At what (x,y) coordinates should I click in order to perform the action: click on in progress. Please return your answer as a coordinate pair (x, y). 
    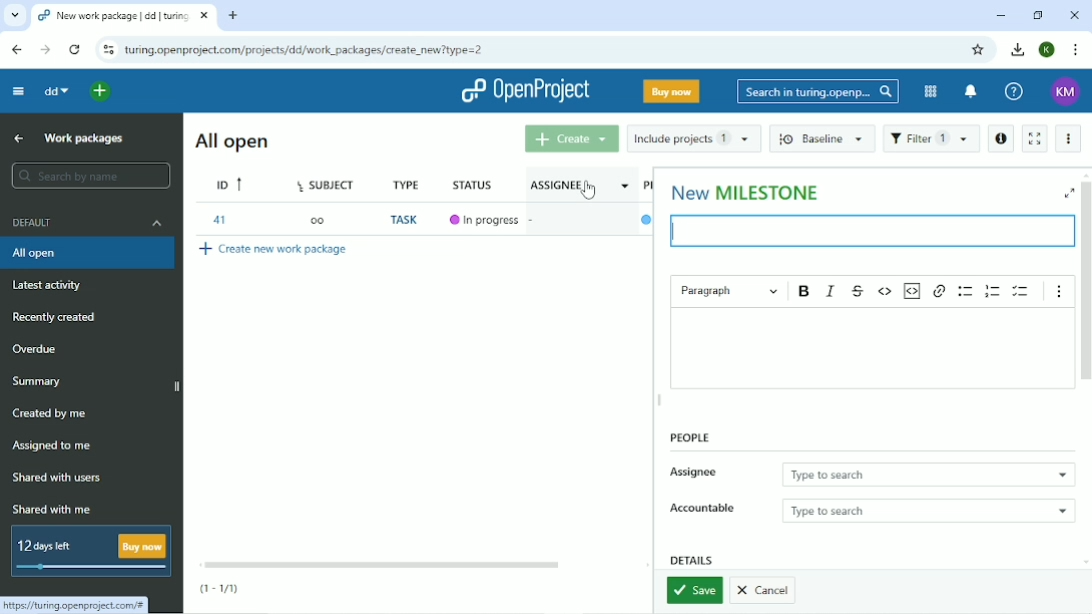
    Looking at the image, I should click on (495, 220).